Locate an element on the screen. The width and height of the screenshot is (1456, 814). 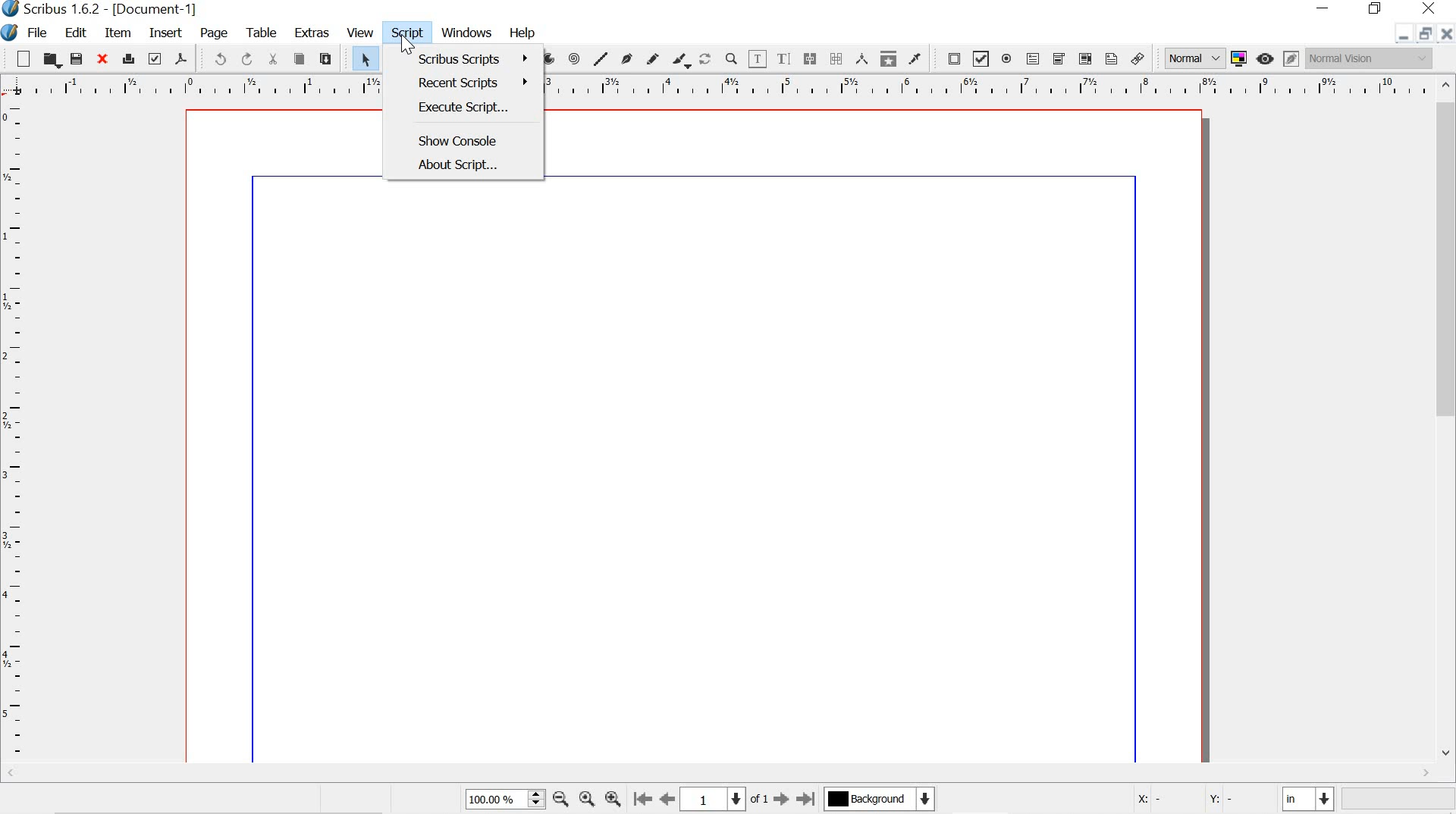
save is located at coordinates (79, 60).